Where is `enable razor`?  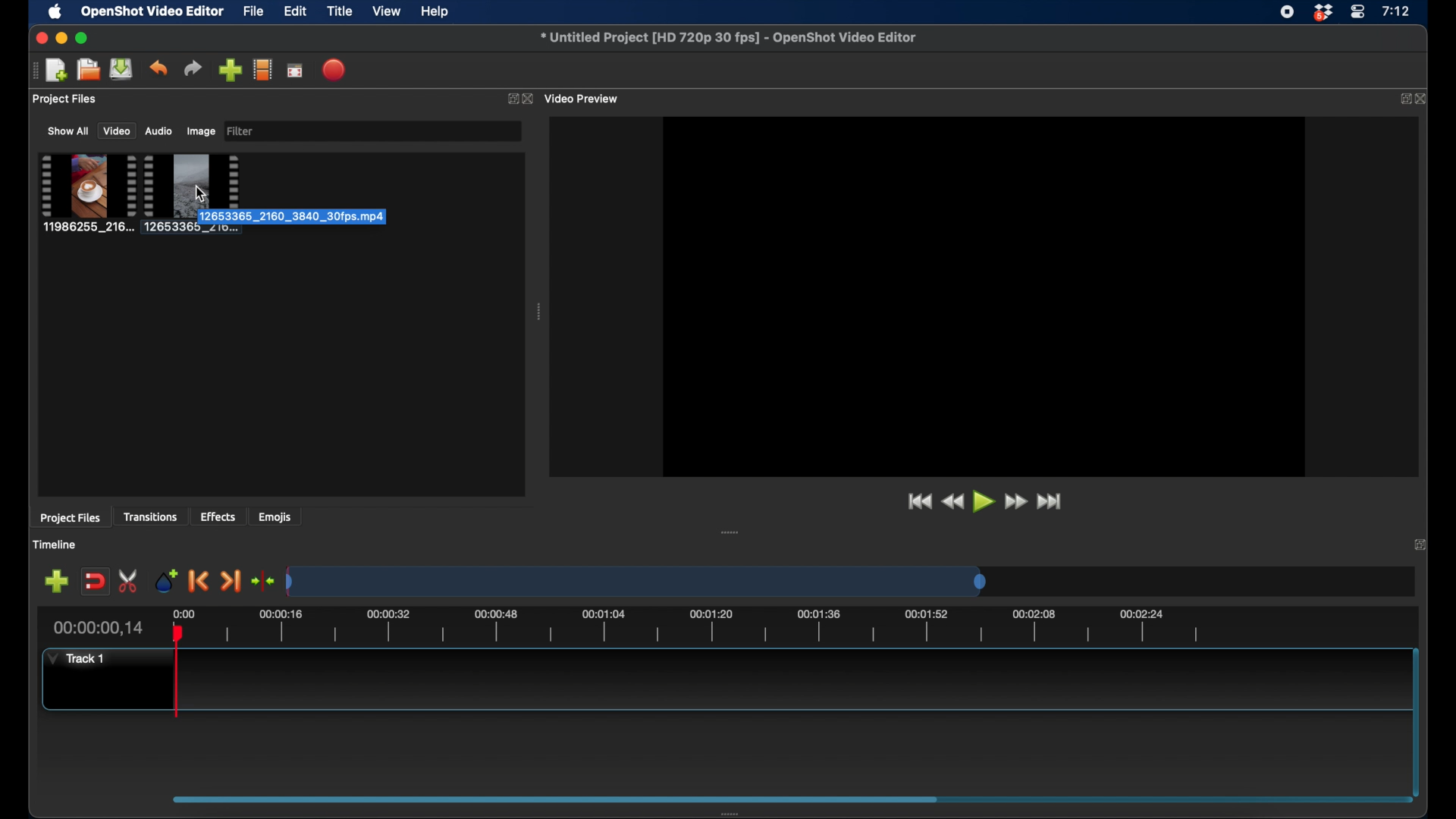
enable razor is located at coordinates (129, 580).